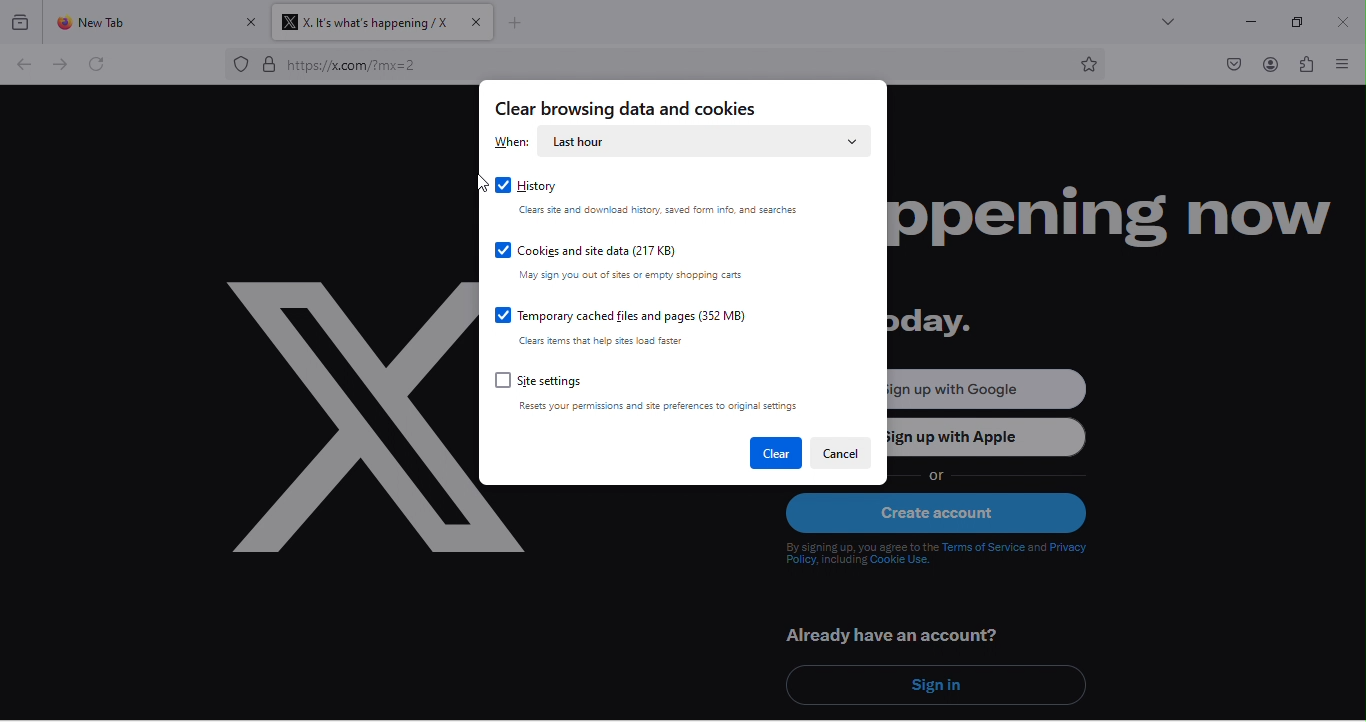 The height and width of the screenshot is (722, 1366). I want to click on proxy, so click(240, 64).